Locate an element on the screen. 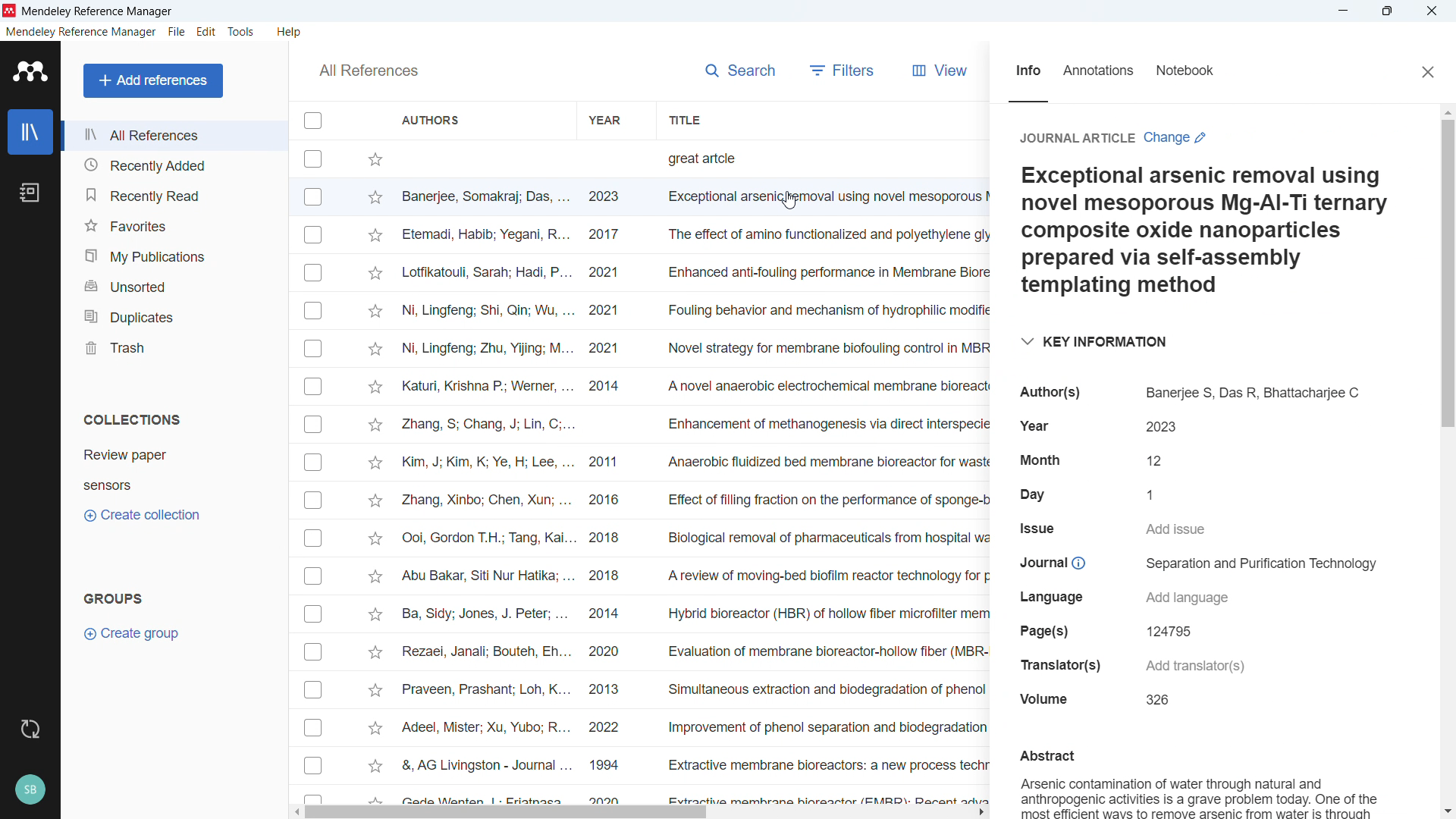 This screenshot has height=819, width=1456. Year of publication  is located at coordinates (604, 476).